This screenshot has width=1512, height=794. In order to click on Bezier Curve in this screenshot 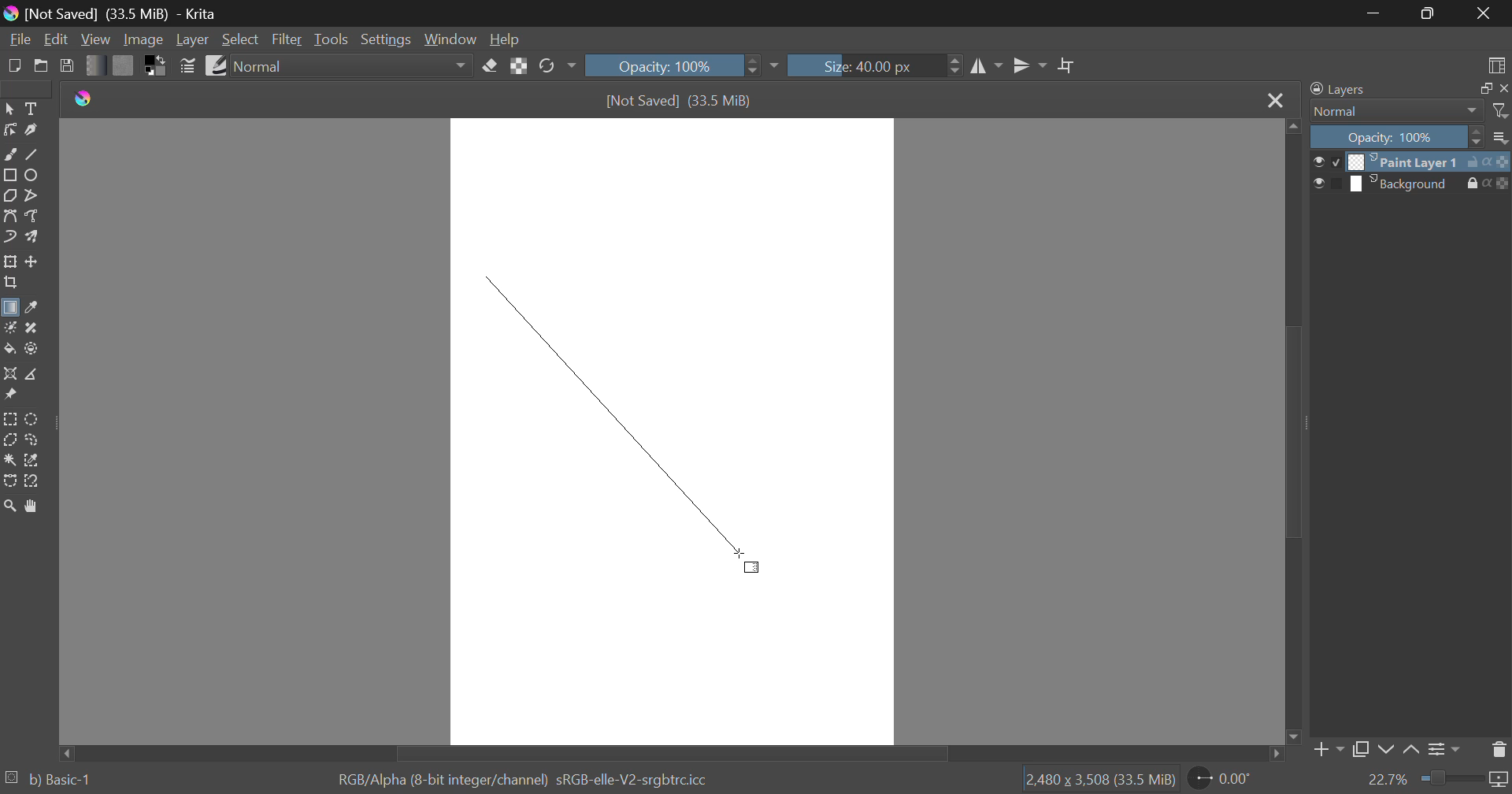, I will do `click(9, 216)`.